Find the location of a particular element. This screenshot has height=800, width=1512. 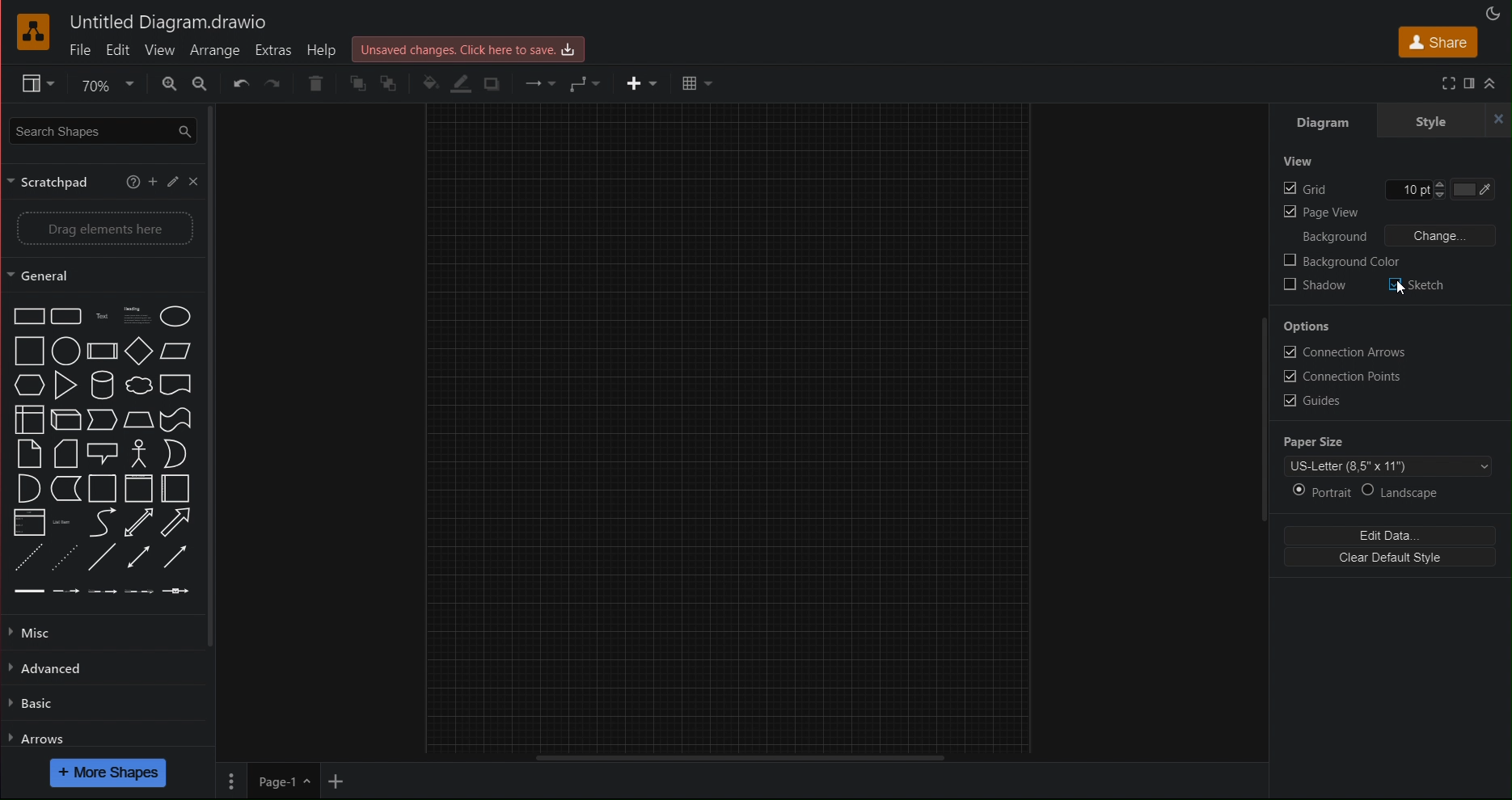

bidirectional arrow is located at coordinates (140, 524).